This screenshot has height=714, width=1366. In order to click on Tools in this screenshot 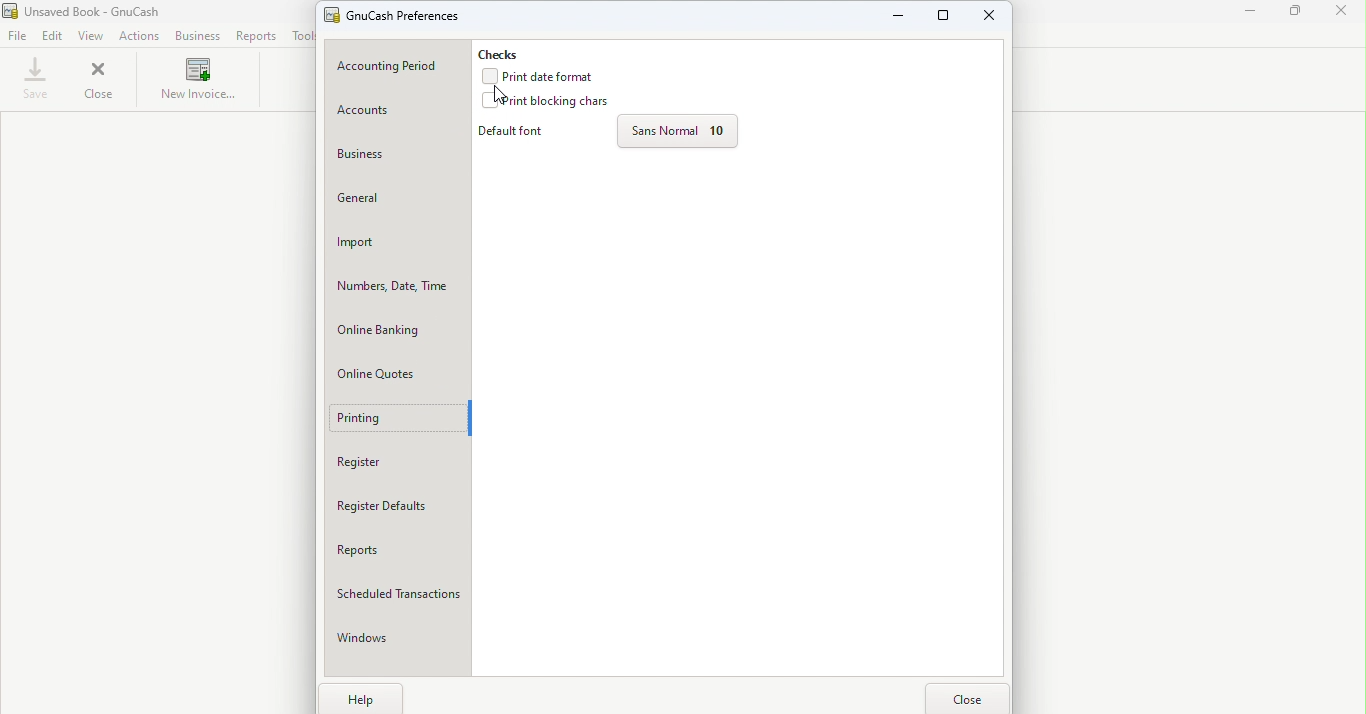, I will do `click(301, 35)`.